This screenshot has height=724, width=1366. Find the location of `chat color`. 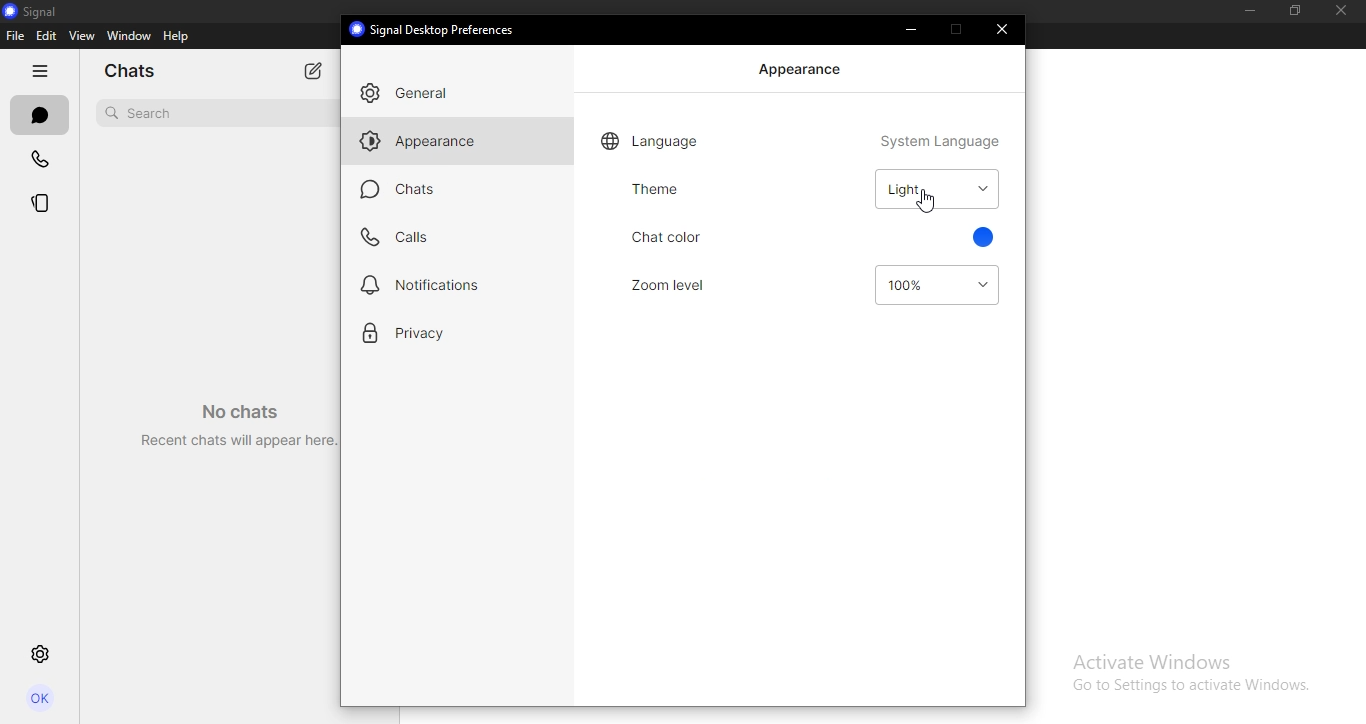

chat color is located at coordinates (702, 237).